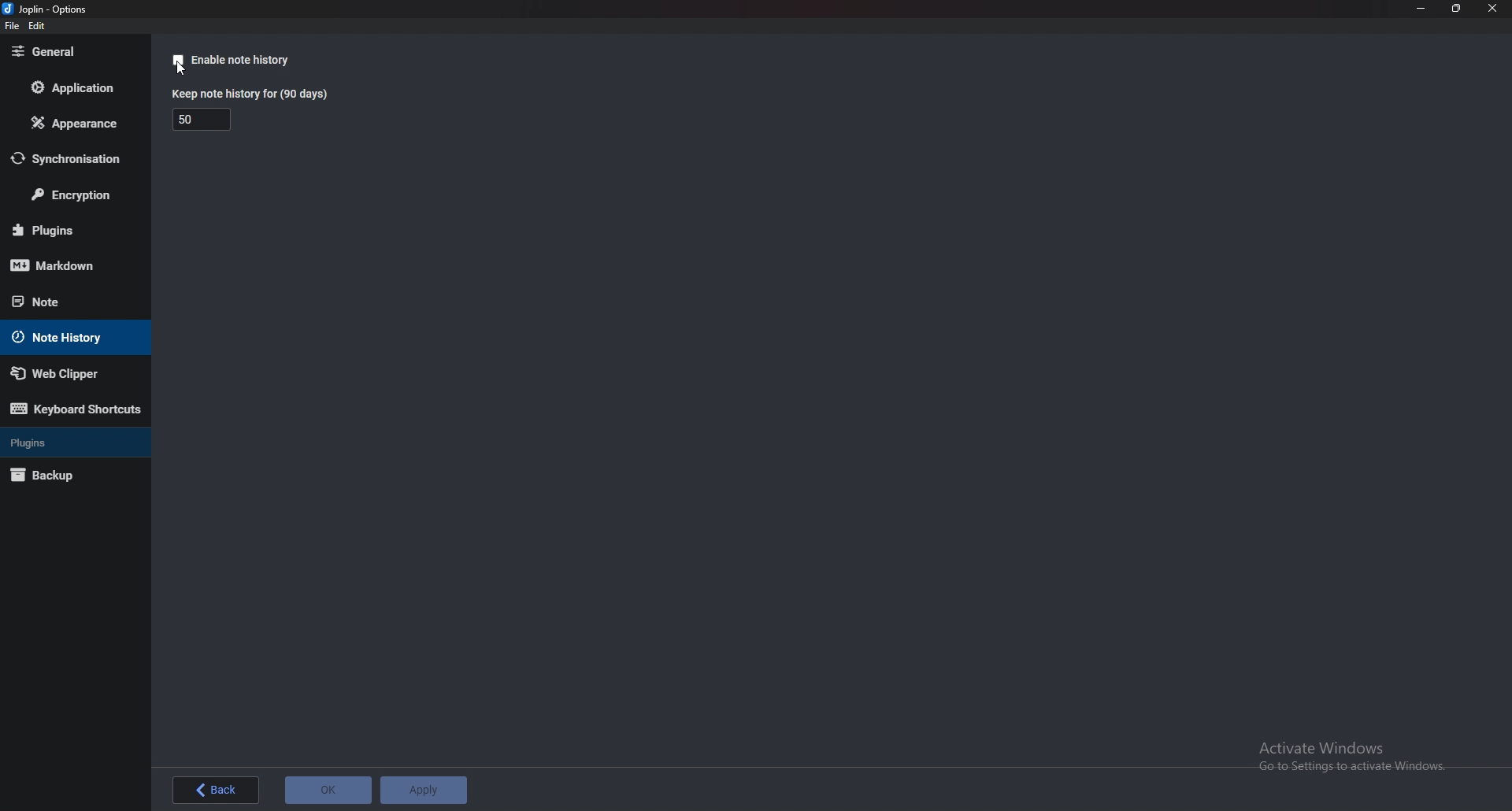 This screenshot has width=1512, height=811. I want to click on Web Clipper, so click(68, 373).